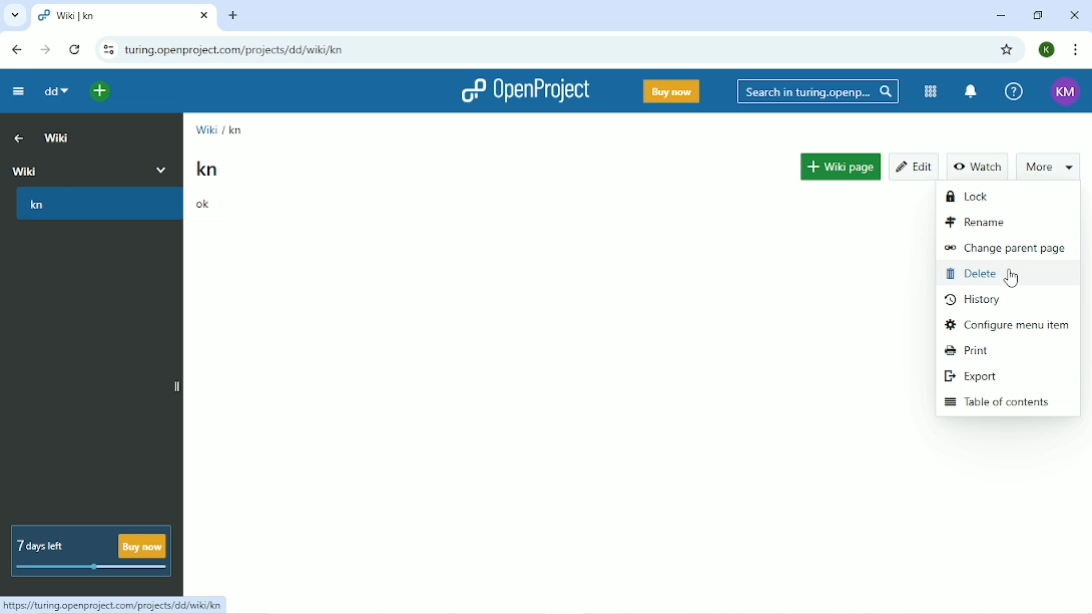 The width and height of the screenshot is (1092, 614). I want to click on Forward, so click(45, 50).